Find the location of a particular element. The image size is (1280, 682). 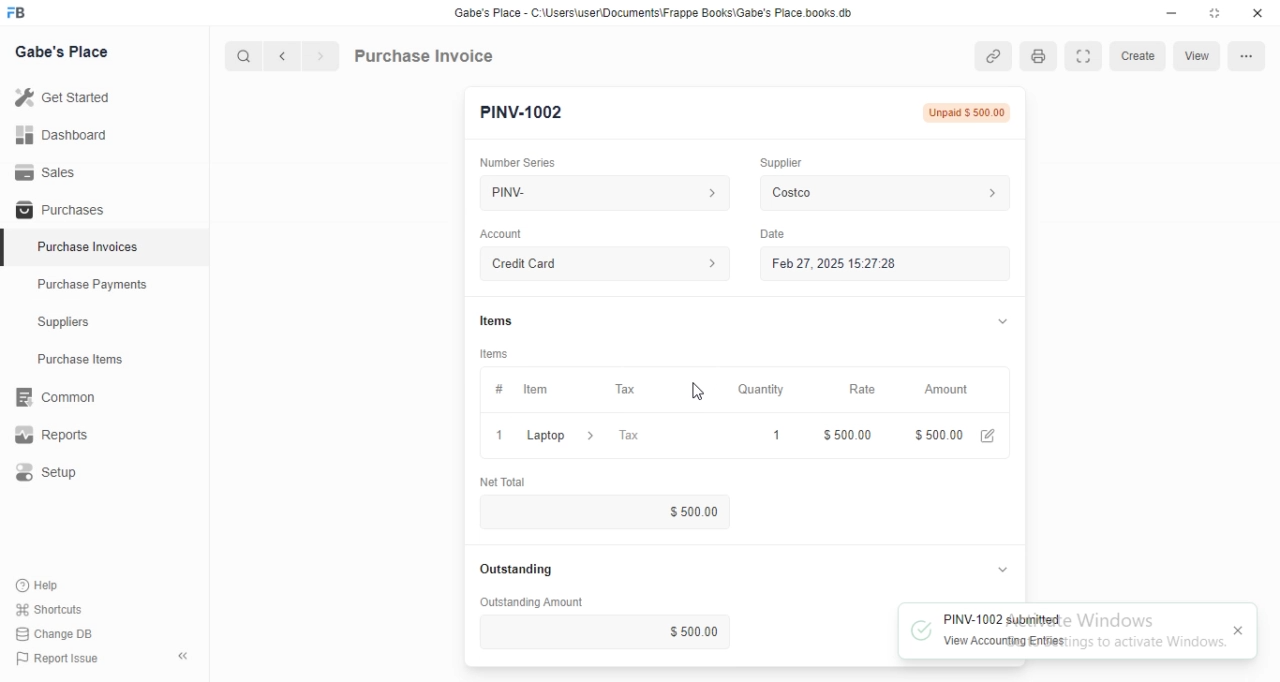

More options is located at coordinates (1247, 56).